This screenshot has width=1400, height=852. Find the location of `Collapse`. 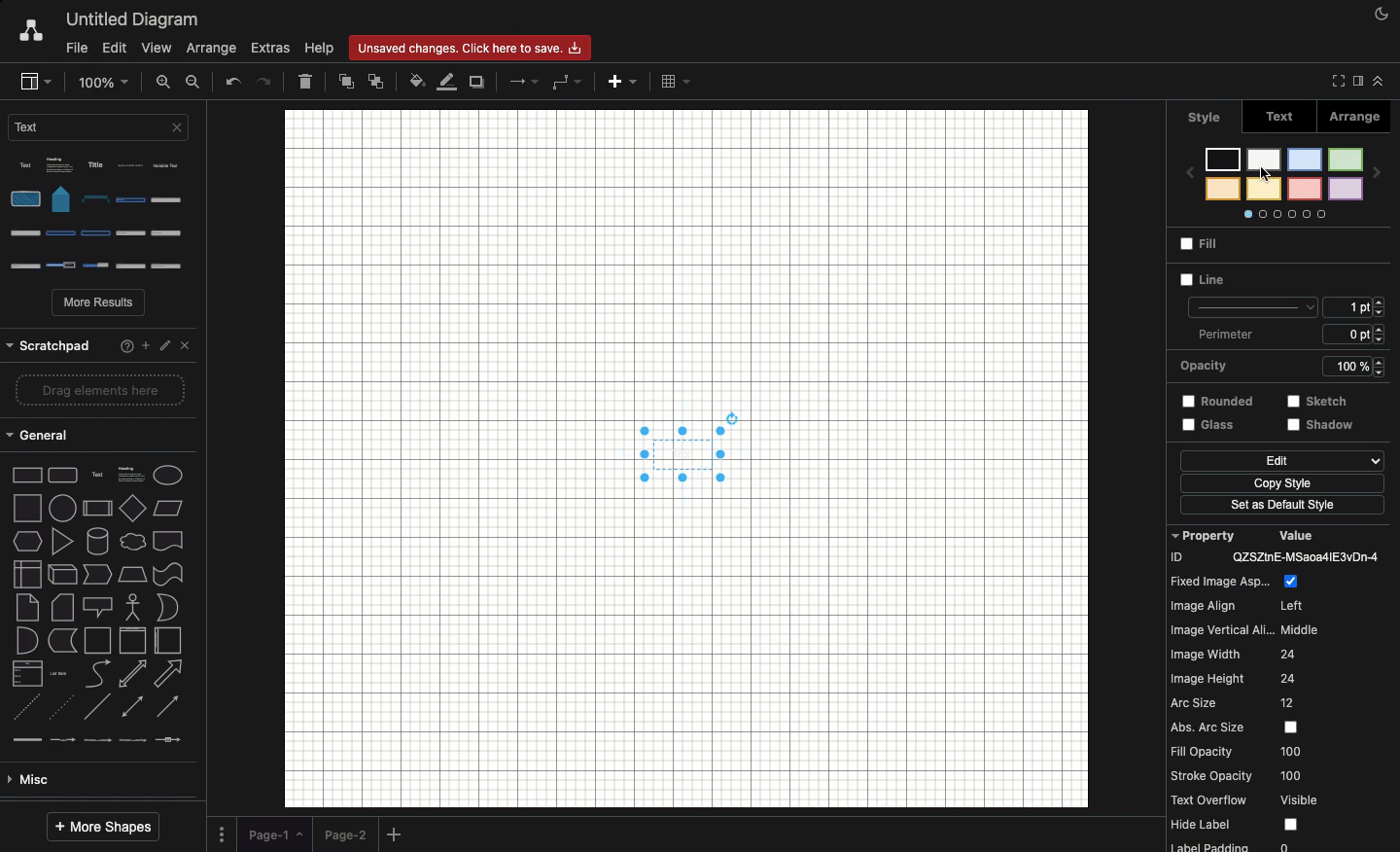

Collapse is located at coordinates (1379, 81).